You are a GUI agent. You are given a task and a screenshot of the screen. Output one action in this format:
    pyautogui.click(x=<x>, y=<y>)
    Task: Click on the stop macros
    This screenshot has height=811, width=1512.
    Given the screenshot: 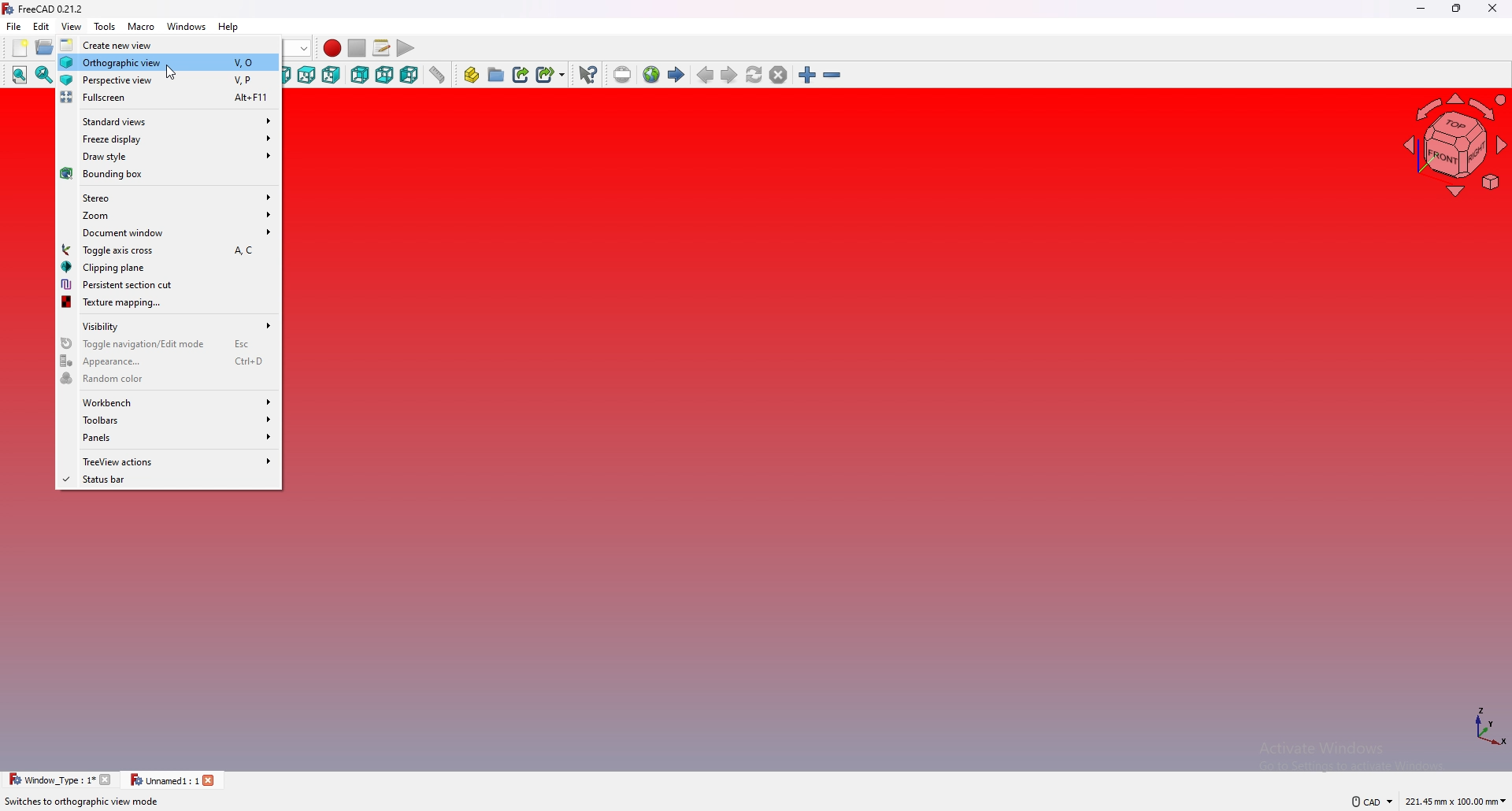 What is the action you would take?
    pyautogui.click(x=358, y=48)
    